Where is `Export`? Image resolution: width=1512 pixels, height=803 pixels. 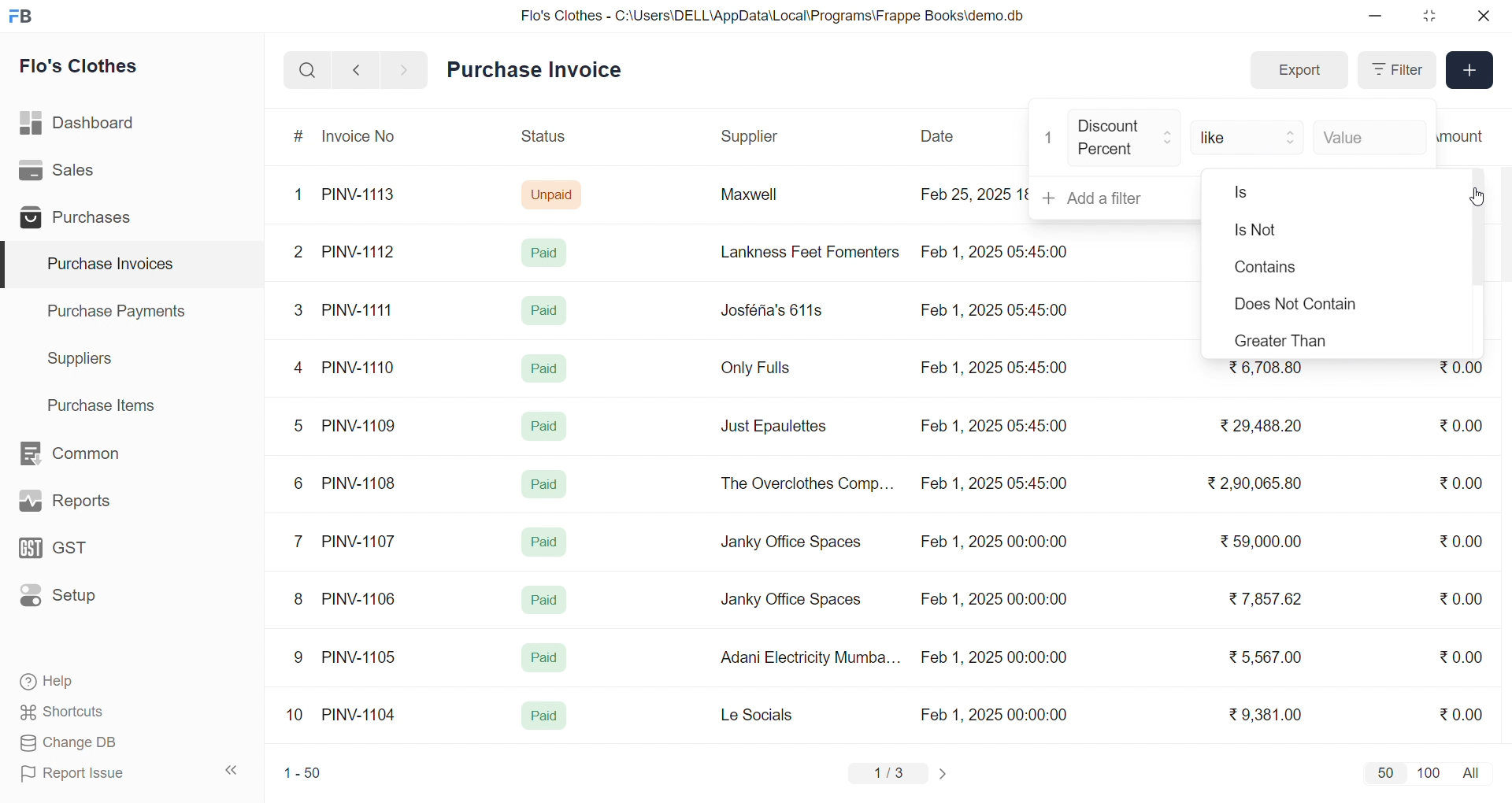 Export is located at coordinates (1299, 71).